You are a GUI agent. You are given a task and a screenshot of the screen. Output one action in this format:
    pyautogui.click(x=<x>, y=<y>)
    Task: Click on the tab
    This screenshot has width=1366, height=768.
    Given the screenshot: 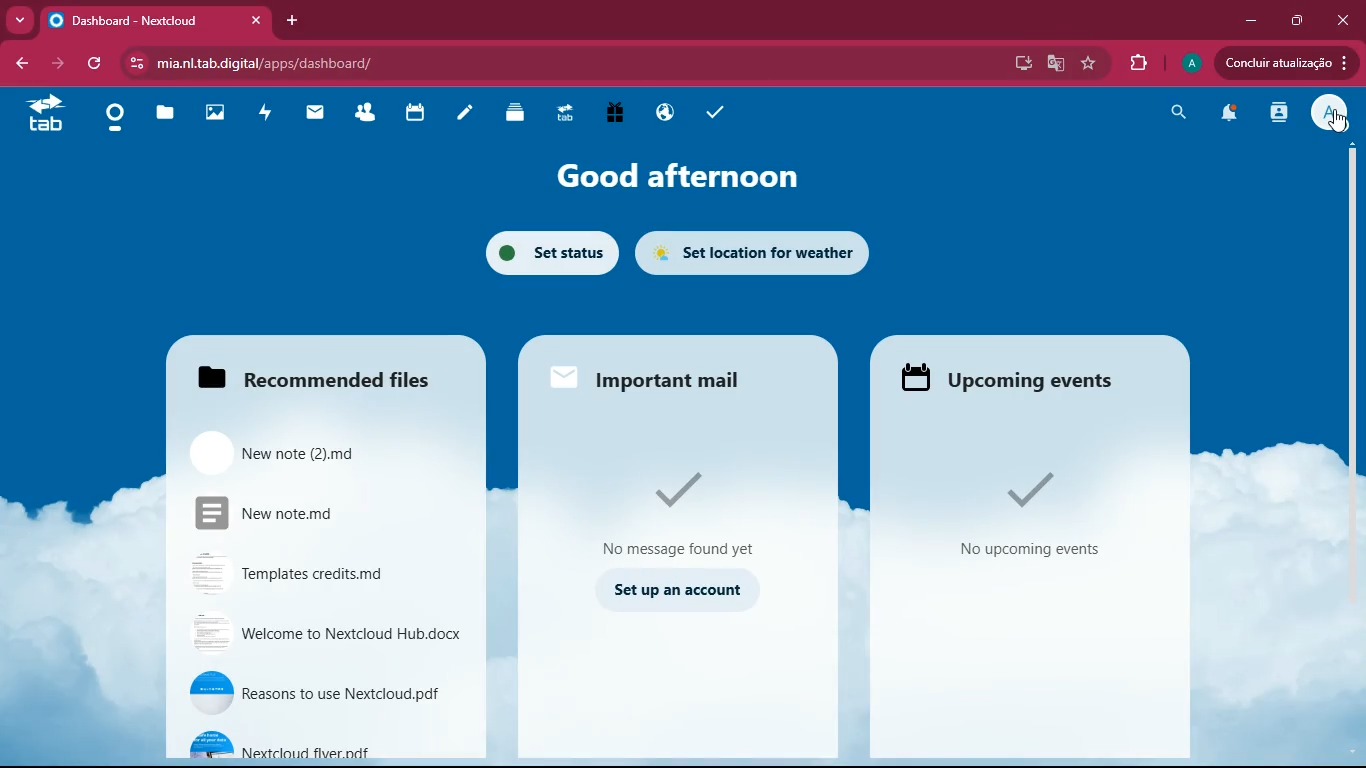 What is the action you would take?
    pyautogui.click(x=48, y=118)
    